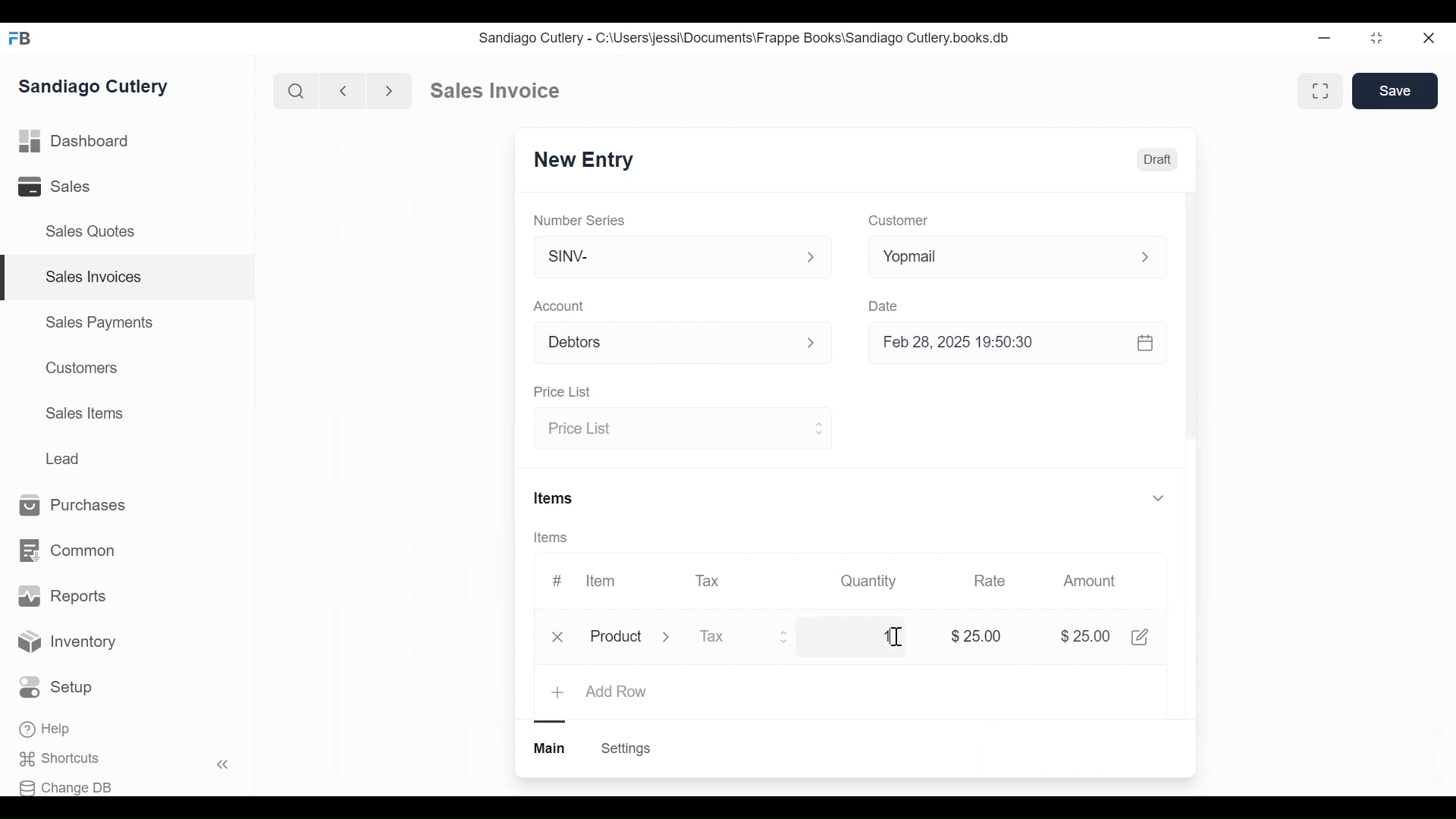 Image resolution: width=1456 pixels, height=819 pixels. What do you see at coordinates (67, 644) in the screenshot?
I see `Inventory` at bounding box center [67, 644].